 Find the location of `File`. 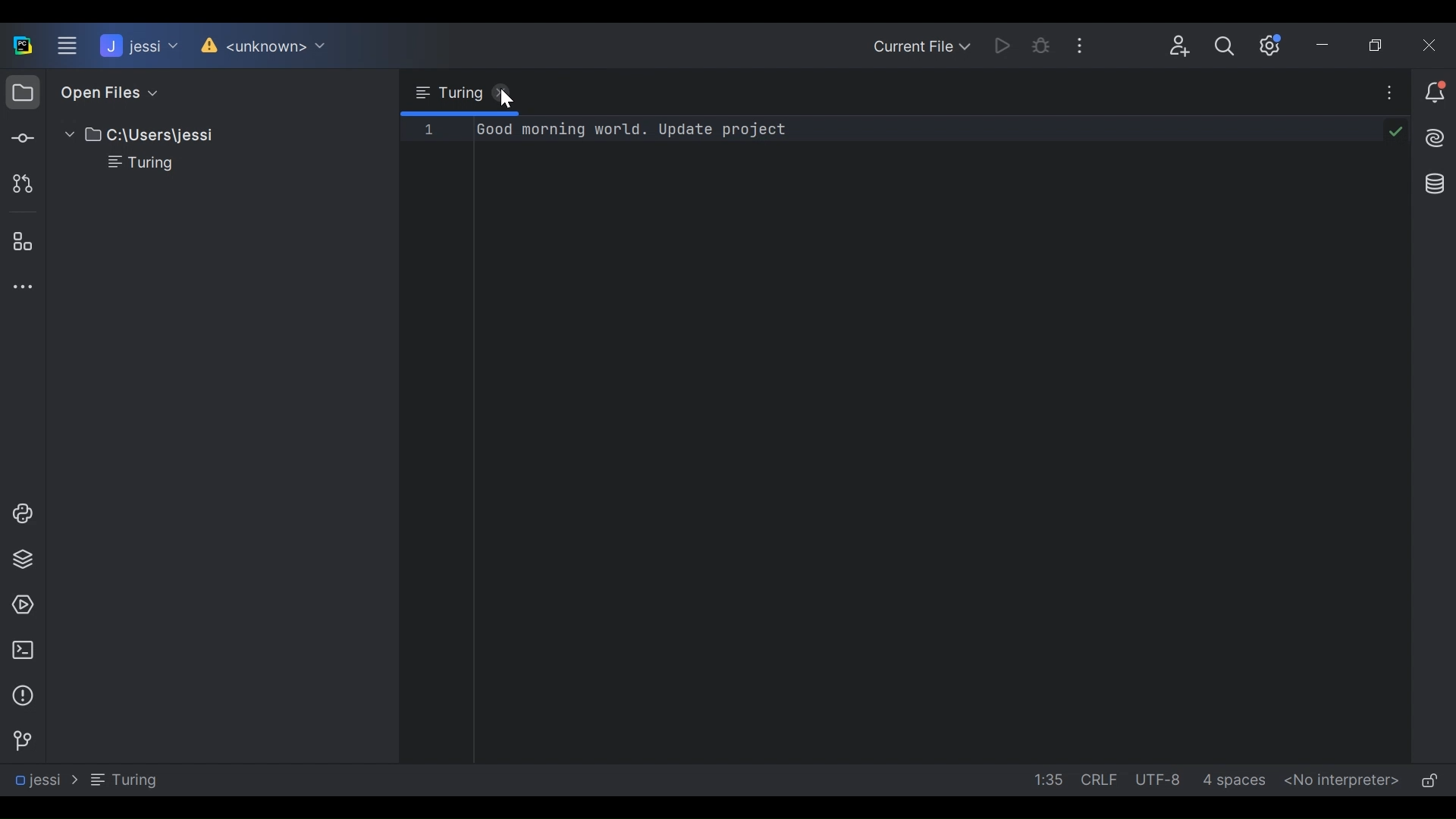

File is located at coordinates (131, 164).